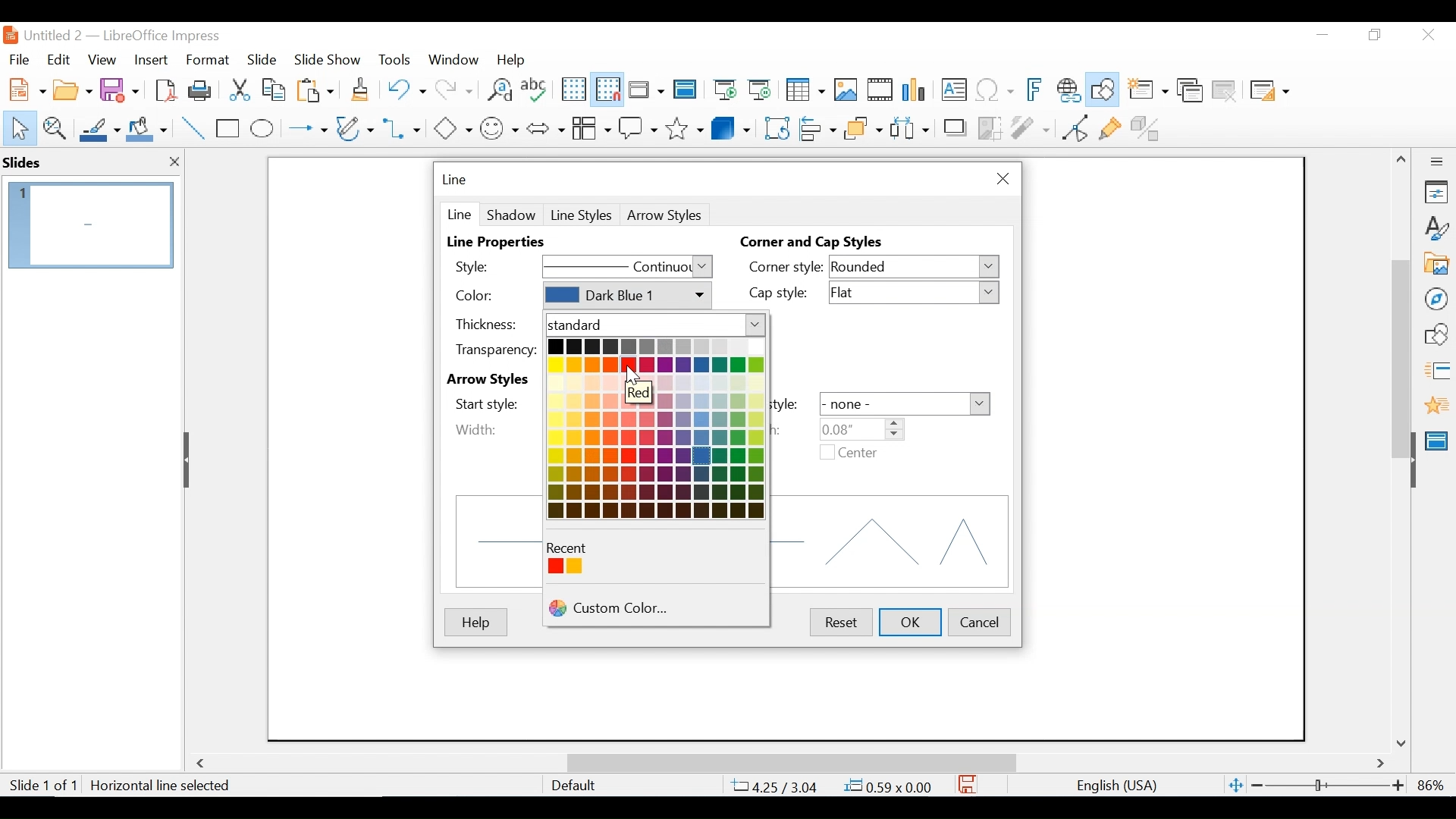  What do you see at coordinates (24, 88) in the screenshot?
I see `New` at bounding box center [24, 88].